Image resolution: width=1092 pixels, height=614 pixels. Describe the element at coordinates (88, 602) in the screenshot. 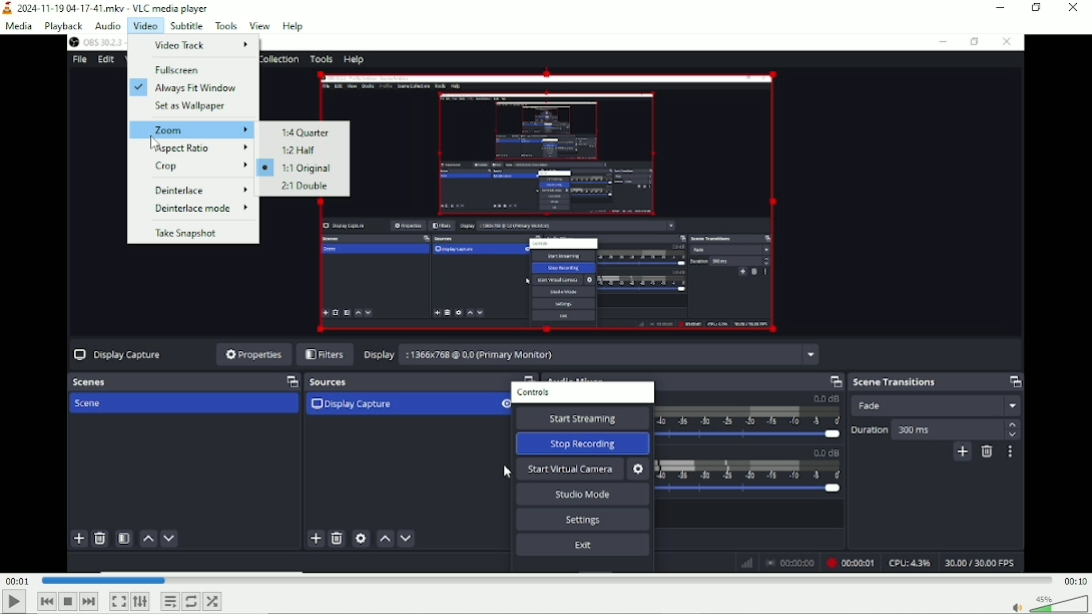

I see `Next` at that location.